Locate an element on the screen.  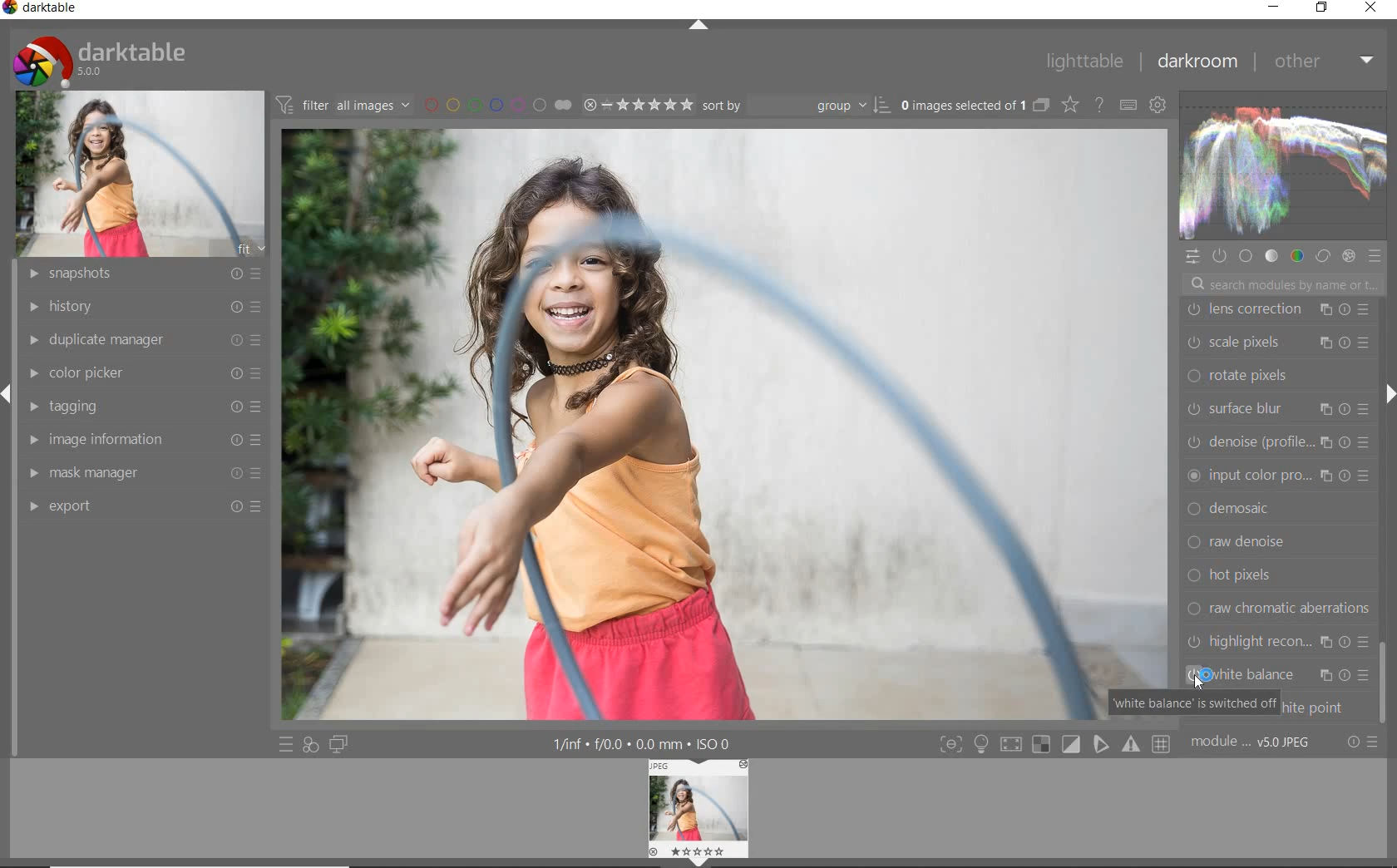
mask manager is located at coordinates (142, 469).